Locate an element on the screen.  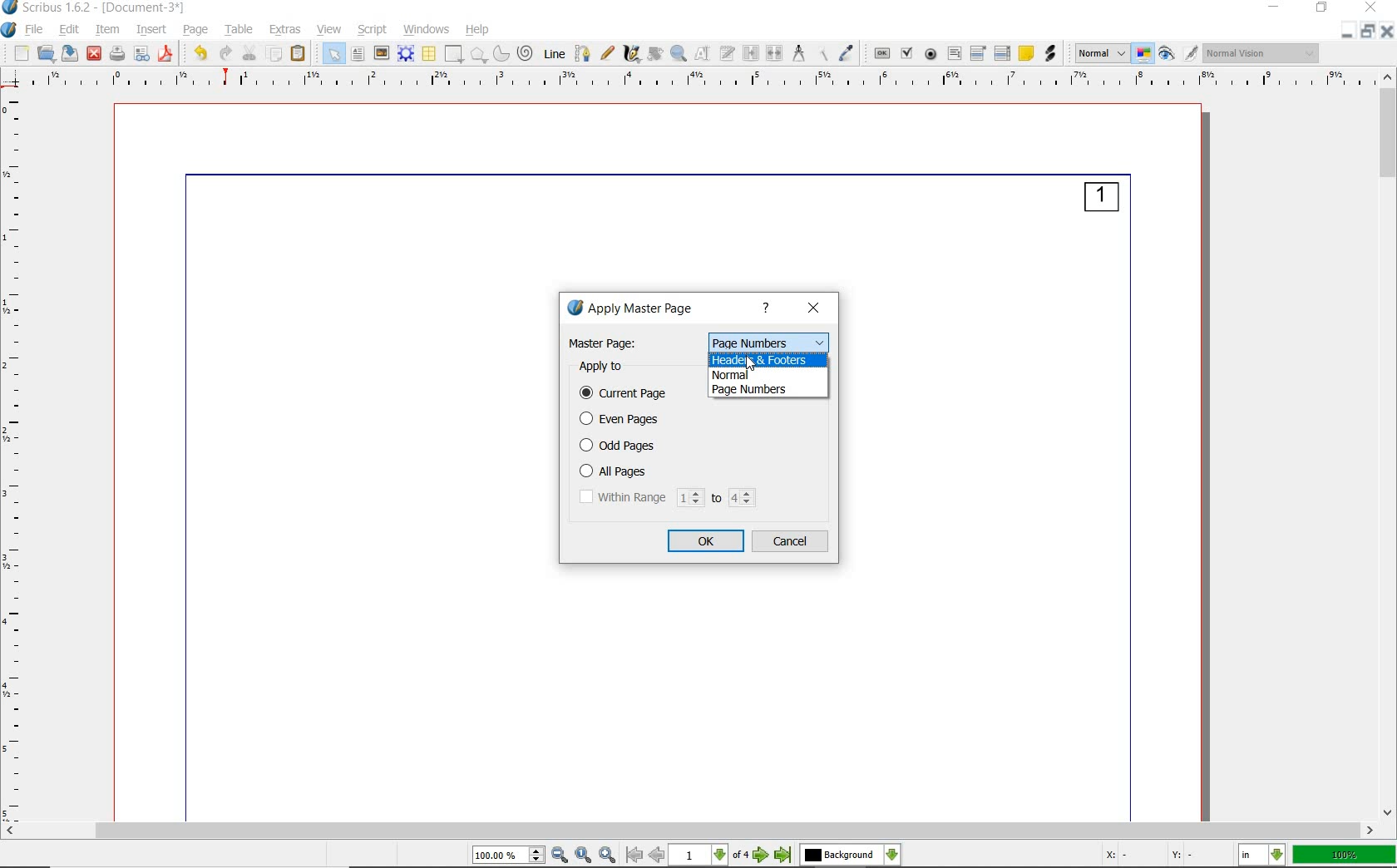
apply to is located at coordinates (605, 367).